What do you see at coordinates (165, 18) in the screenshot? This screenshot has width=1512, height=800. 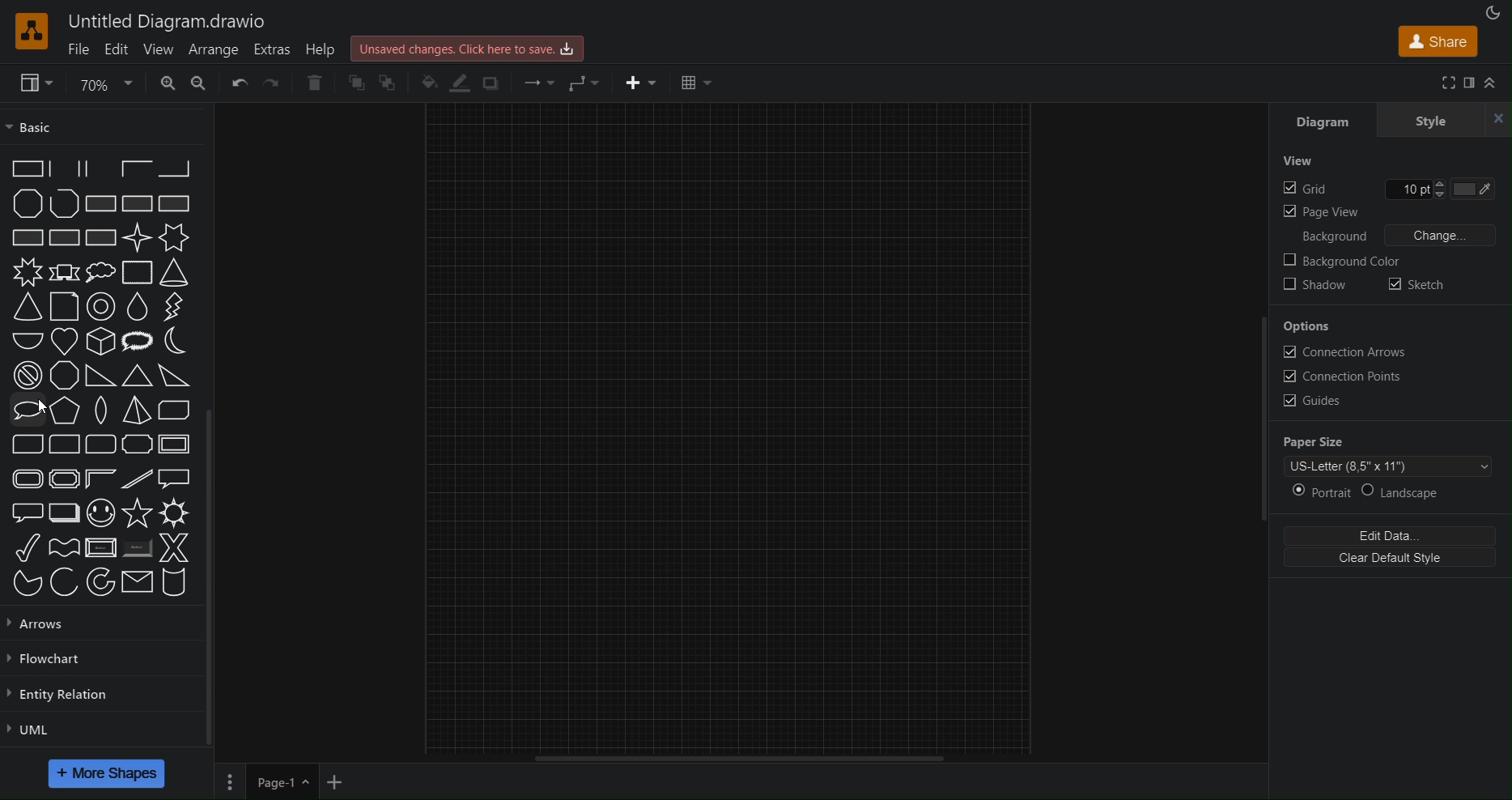 I see `Untitled Diagram.drawio` at bounding box center [165, 18].